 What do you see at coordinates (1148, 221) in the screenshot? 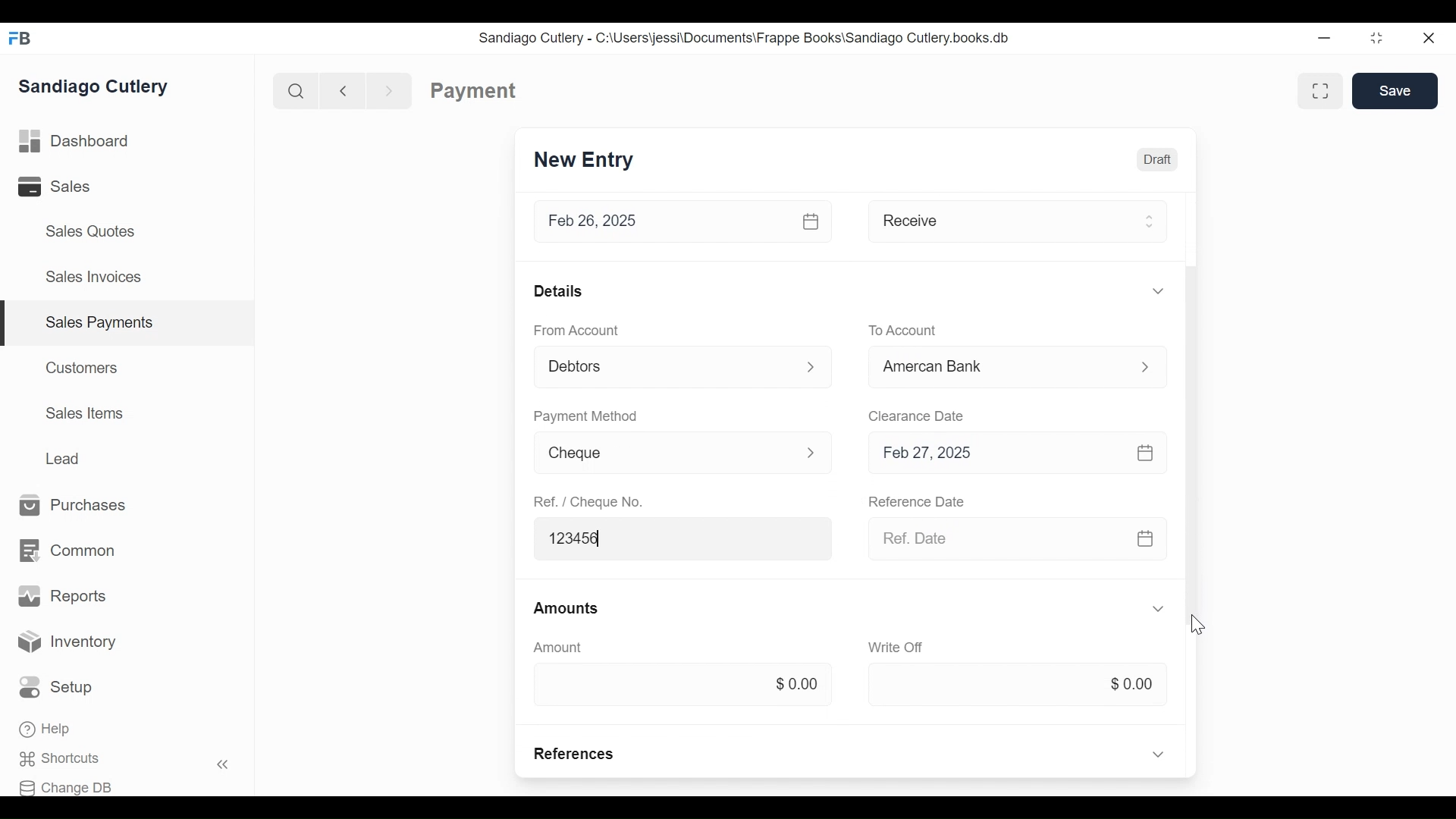
I see `Expand` at bounding box center [1148, 221].